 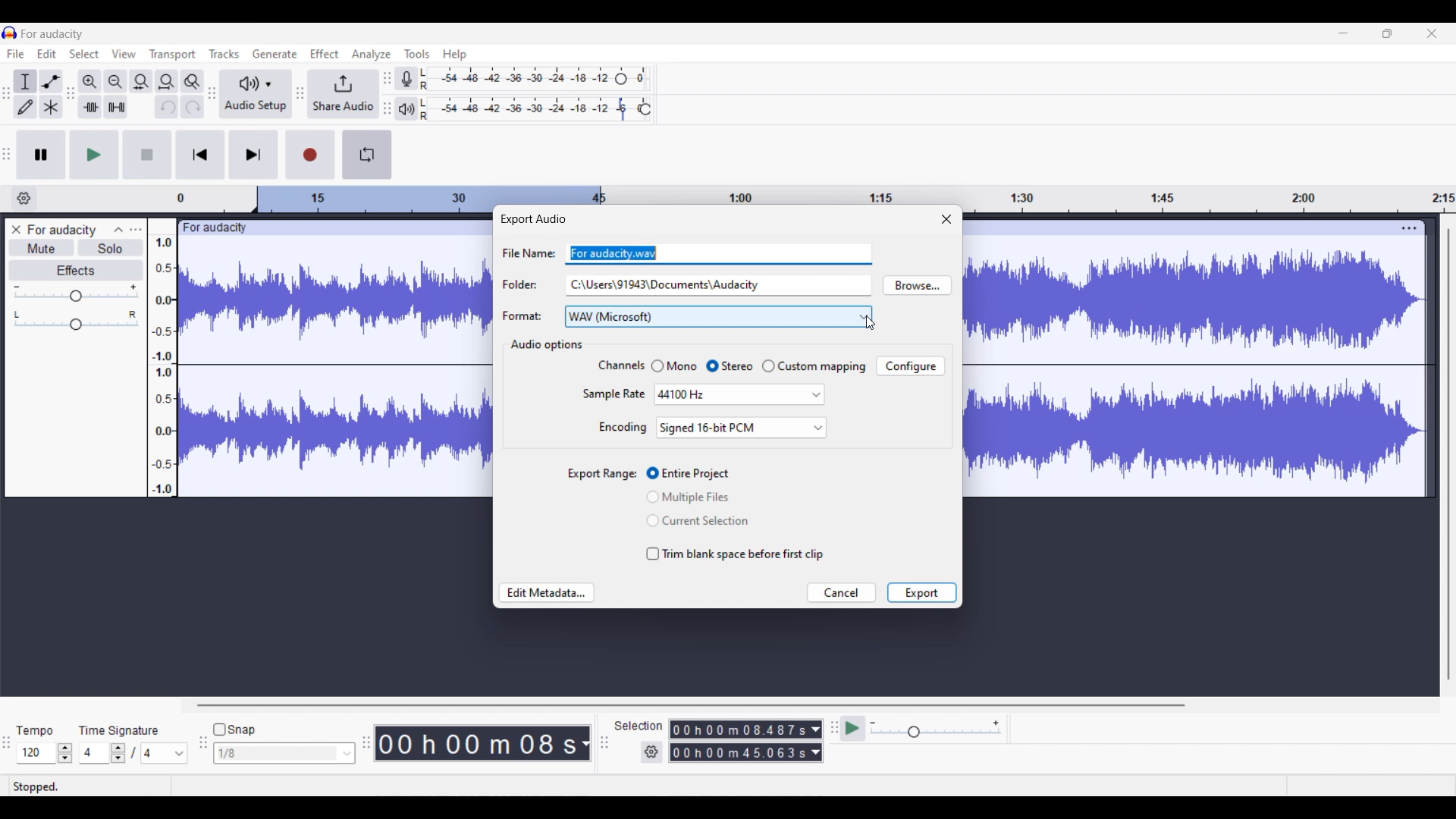 I want to click on Volume scale, so click(x=76, y=293).